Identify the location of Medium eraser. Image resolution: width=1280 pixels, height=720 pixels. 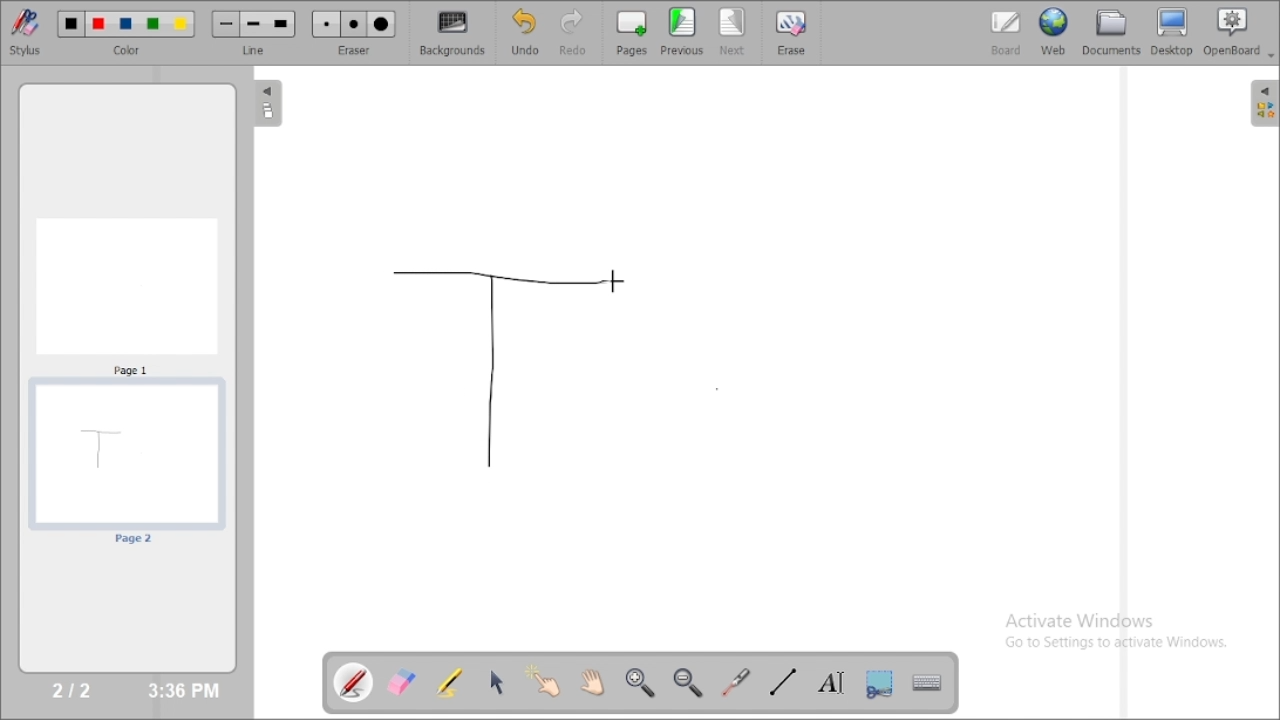
(354, 25).